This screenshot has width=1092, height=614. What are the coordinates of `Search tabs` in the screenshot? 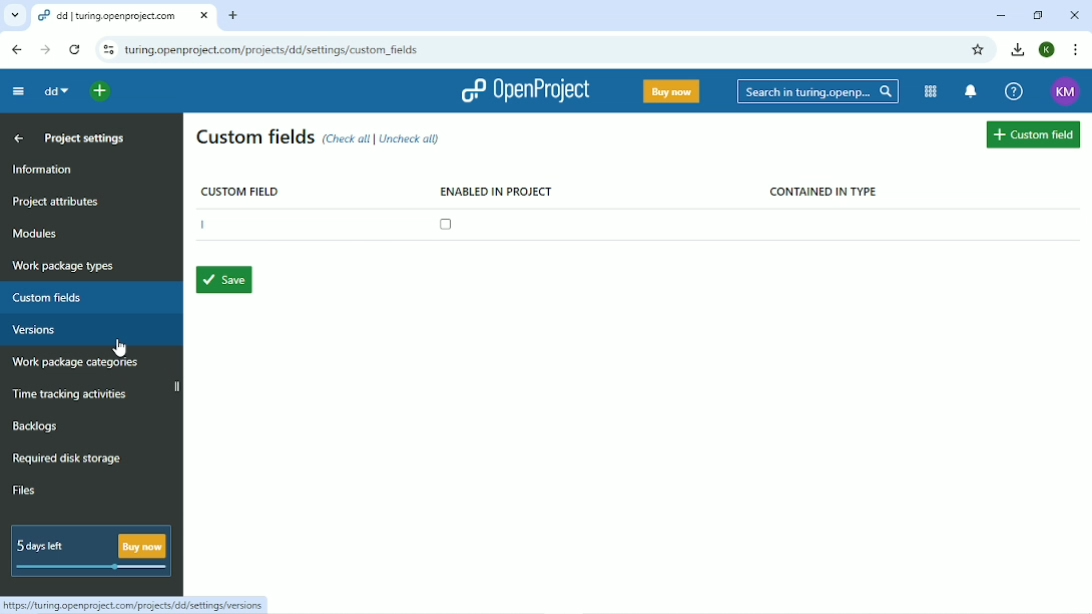 It's located at (14, 14).